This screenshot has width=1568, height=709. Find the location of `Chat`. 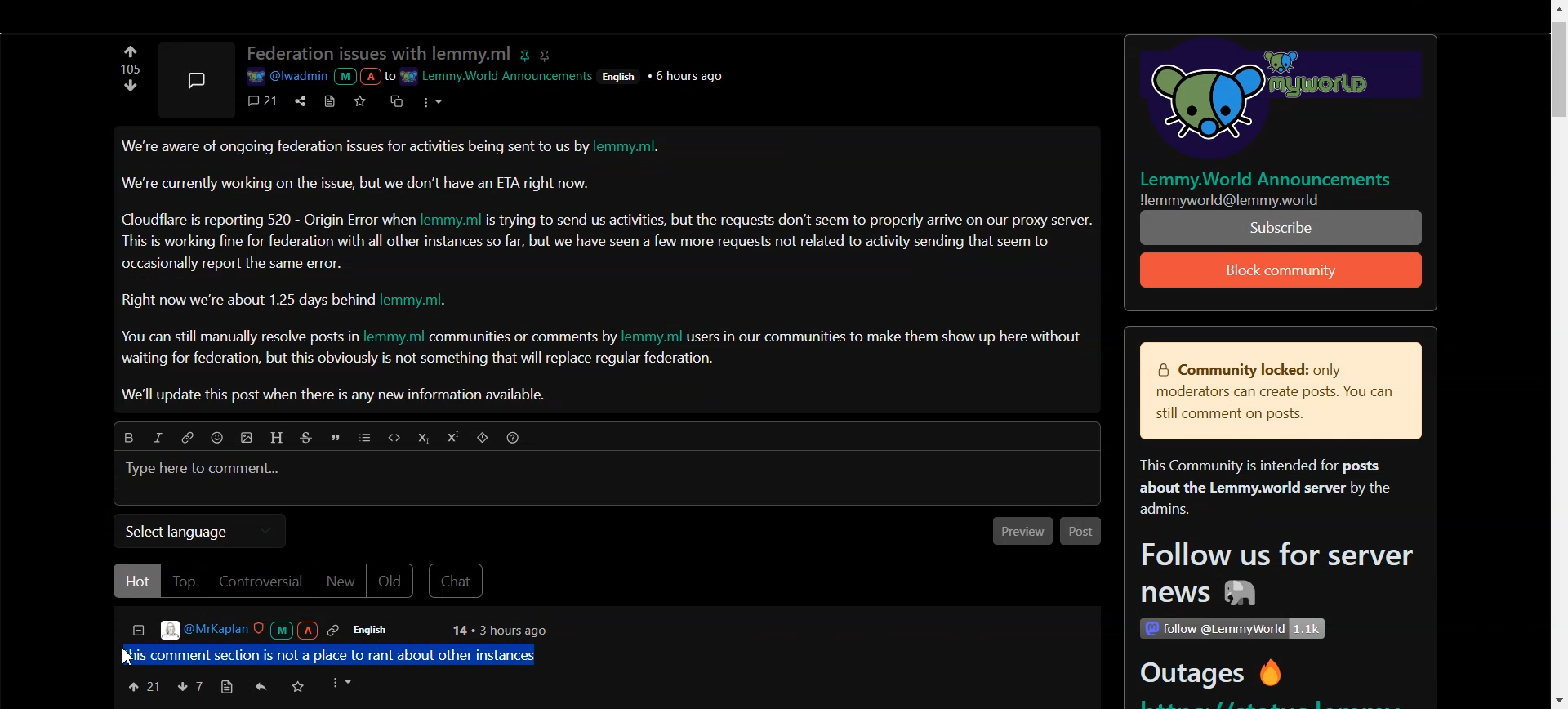

Chat is located at coordinates (459, 582).